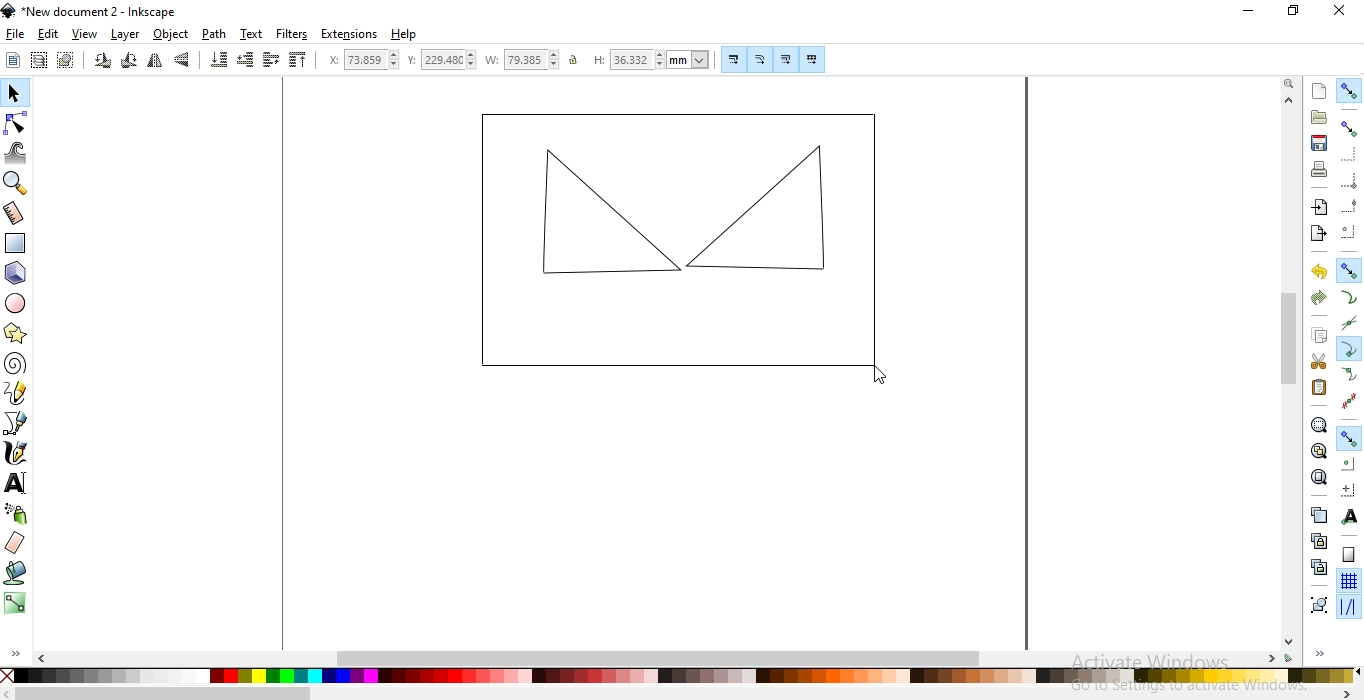 This screenshot has width=1364, height=700. I want to click on snap centers of objects, so click(1348, 464).